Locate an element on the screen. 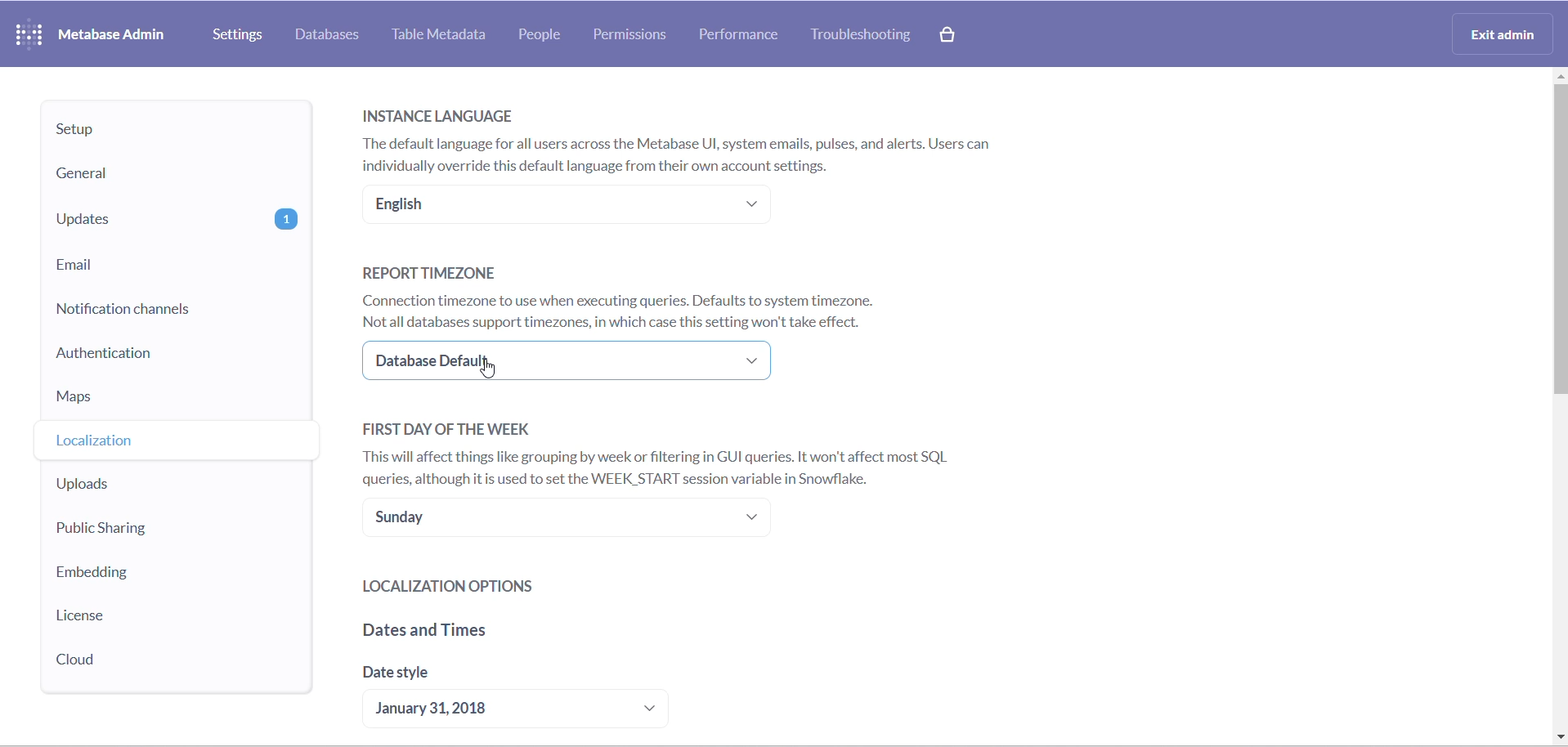 The height and width of the screenshot is (747, 1568). CART is located at coordinates (950, 37).